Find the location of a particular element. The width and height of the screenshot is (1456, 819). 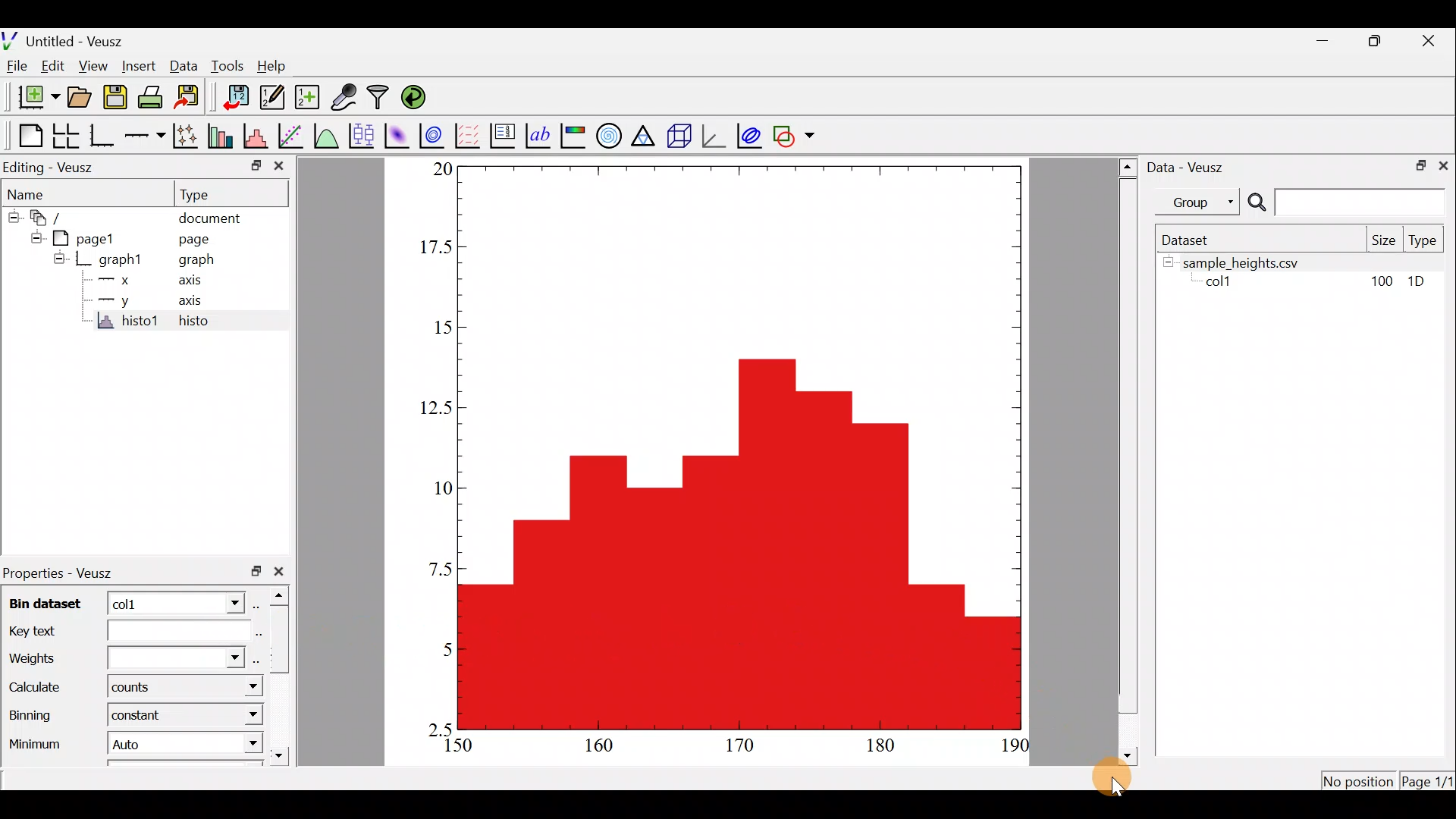

plot bar charts is located at coordinates (221, 136).